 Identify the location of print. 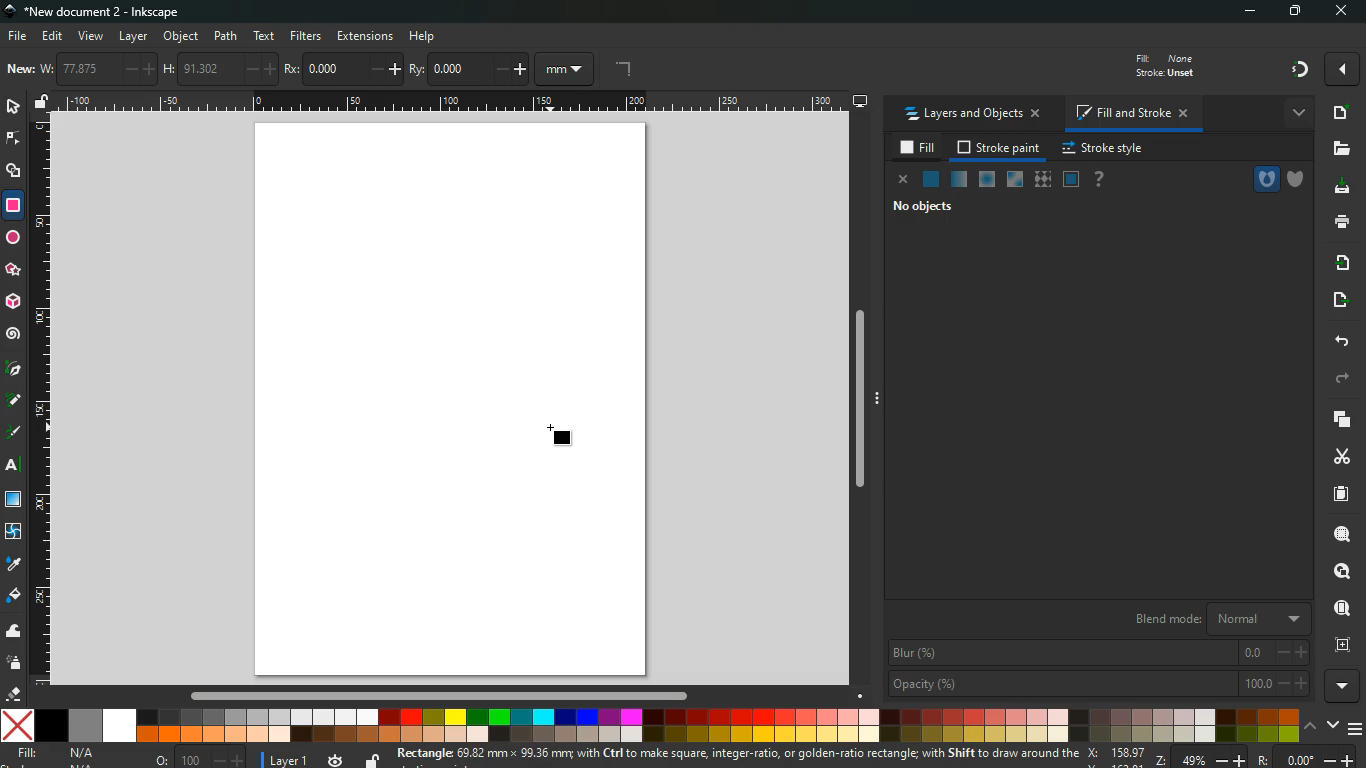
(1337, 223).